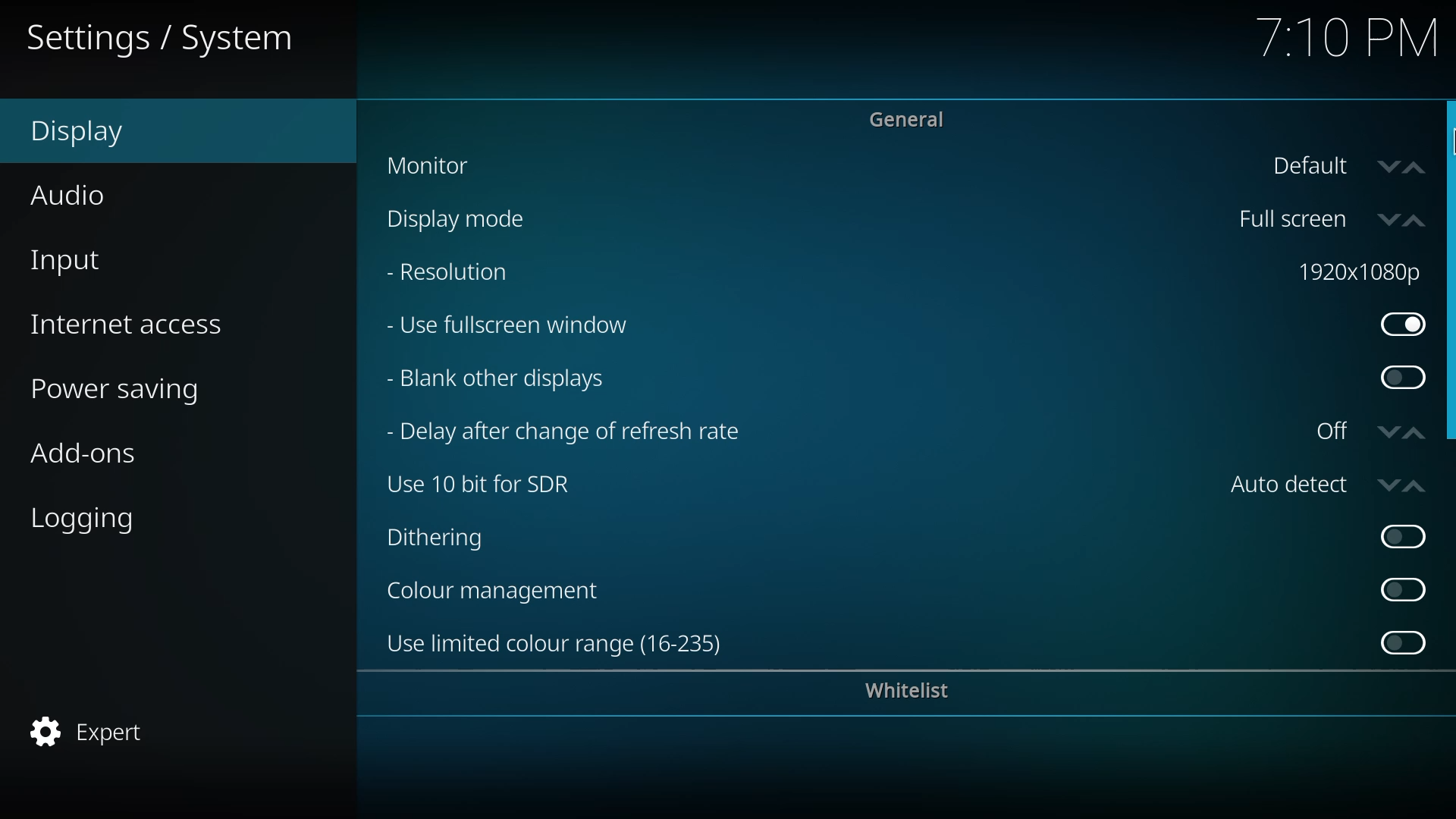  Describe the element at coordinates (567, 433) in the screenshot. I see `delay after change of refresh rate` at that location.